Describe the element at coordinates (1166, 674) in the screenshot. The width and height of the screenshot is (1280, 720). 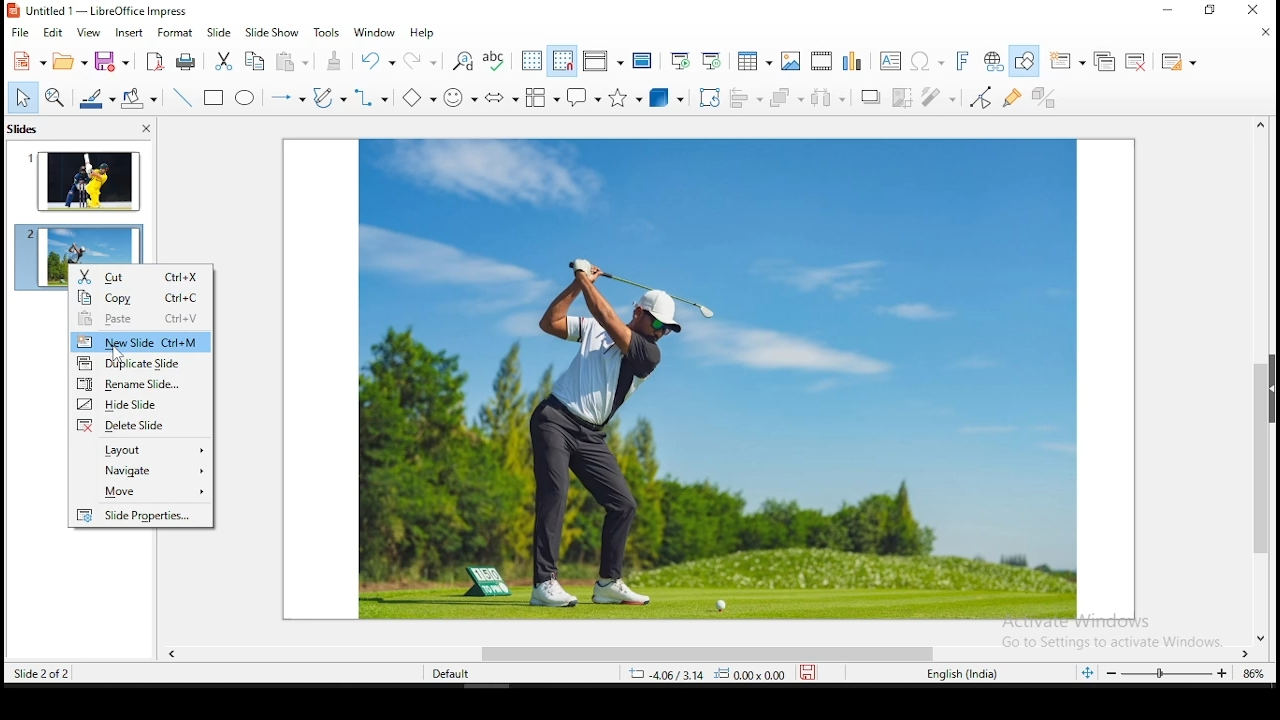
I see `zoom slider` at that location.